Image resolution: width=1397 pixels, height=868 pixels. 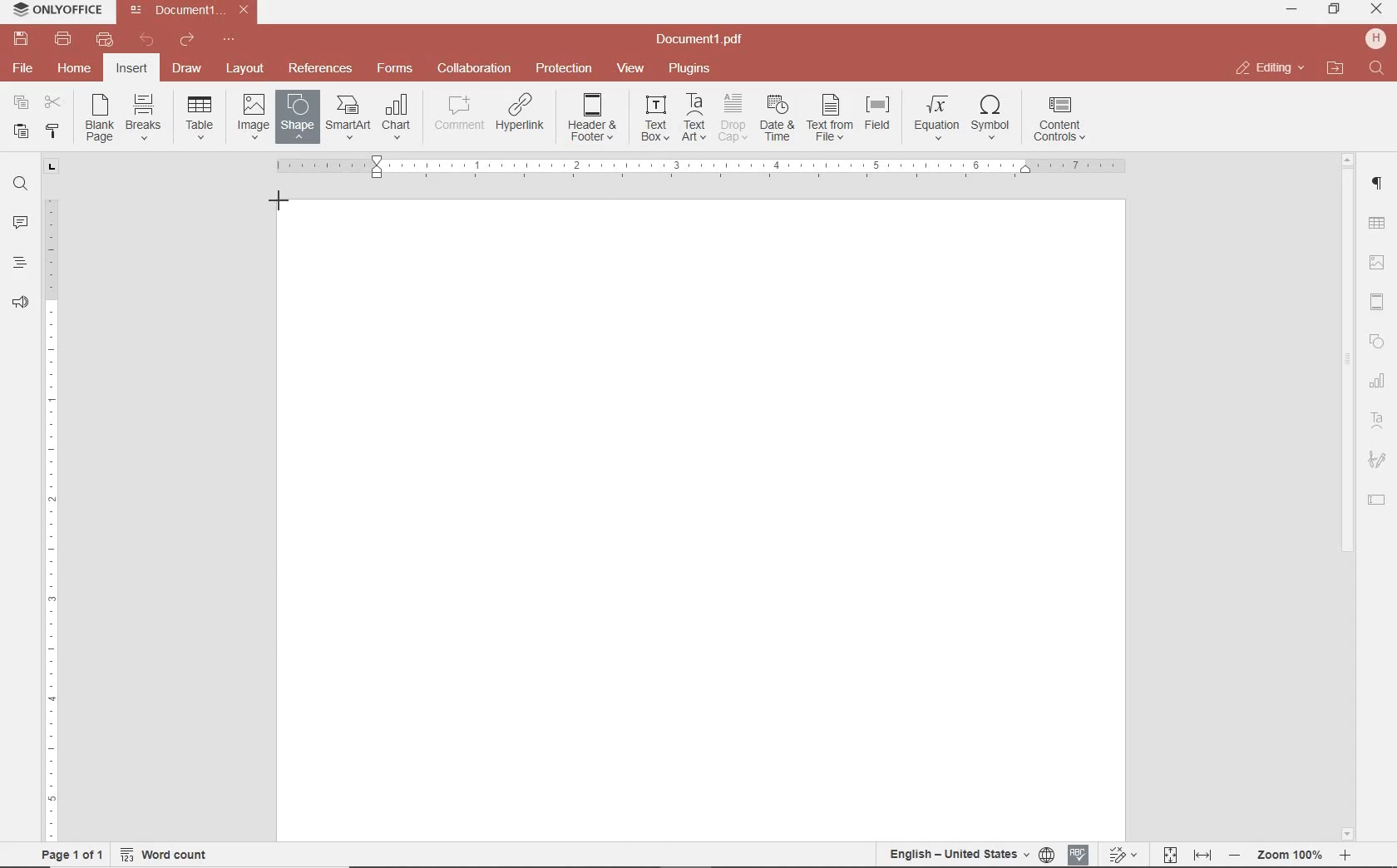 I want to click on feedback & support, so click(x=21, y=303).